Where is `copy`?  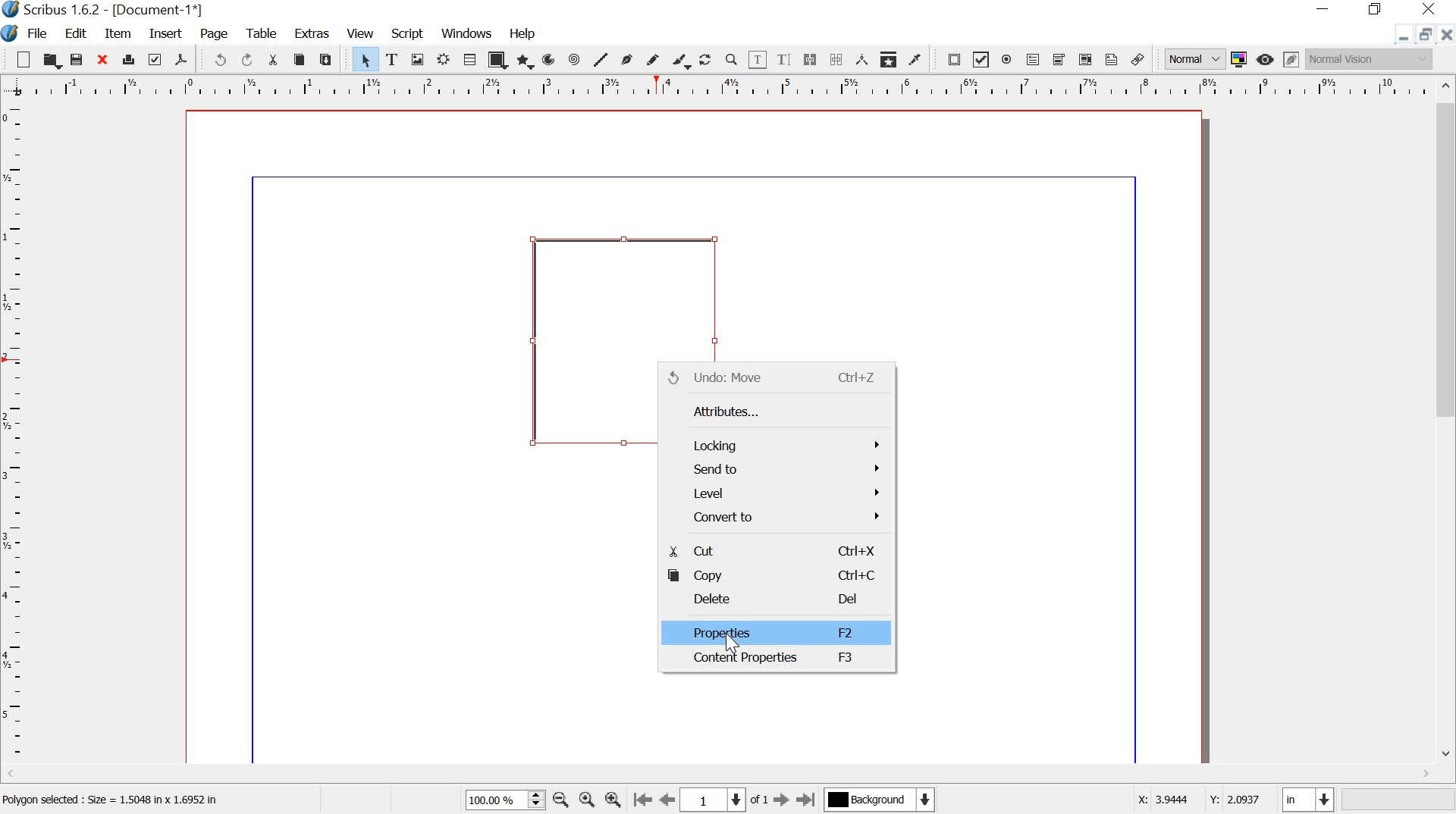
copy is located at coordinates (300, 60).